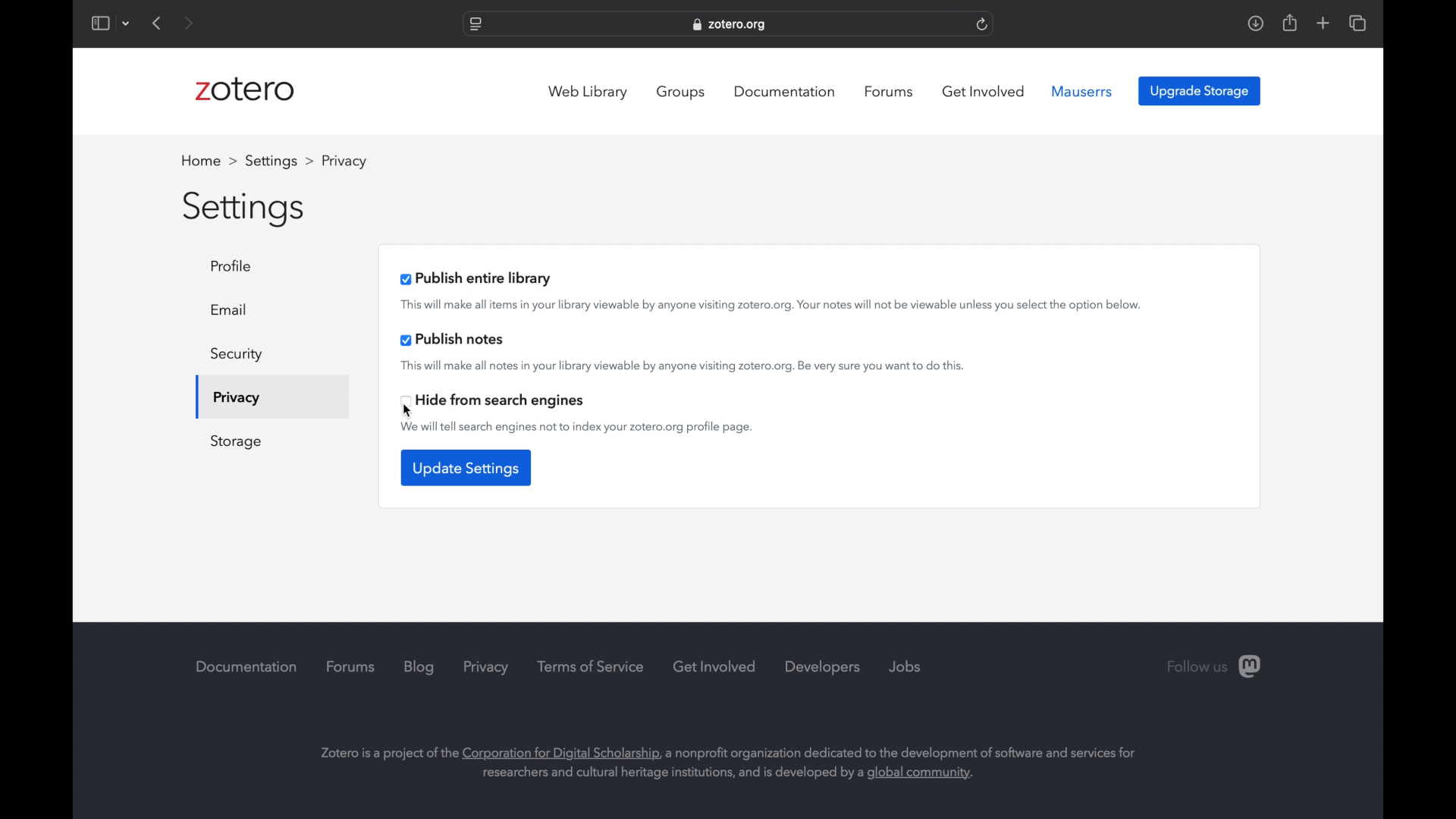  I want to click on forums, so click(350, 667).